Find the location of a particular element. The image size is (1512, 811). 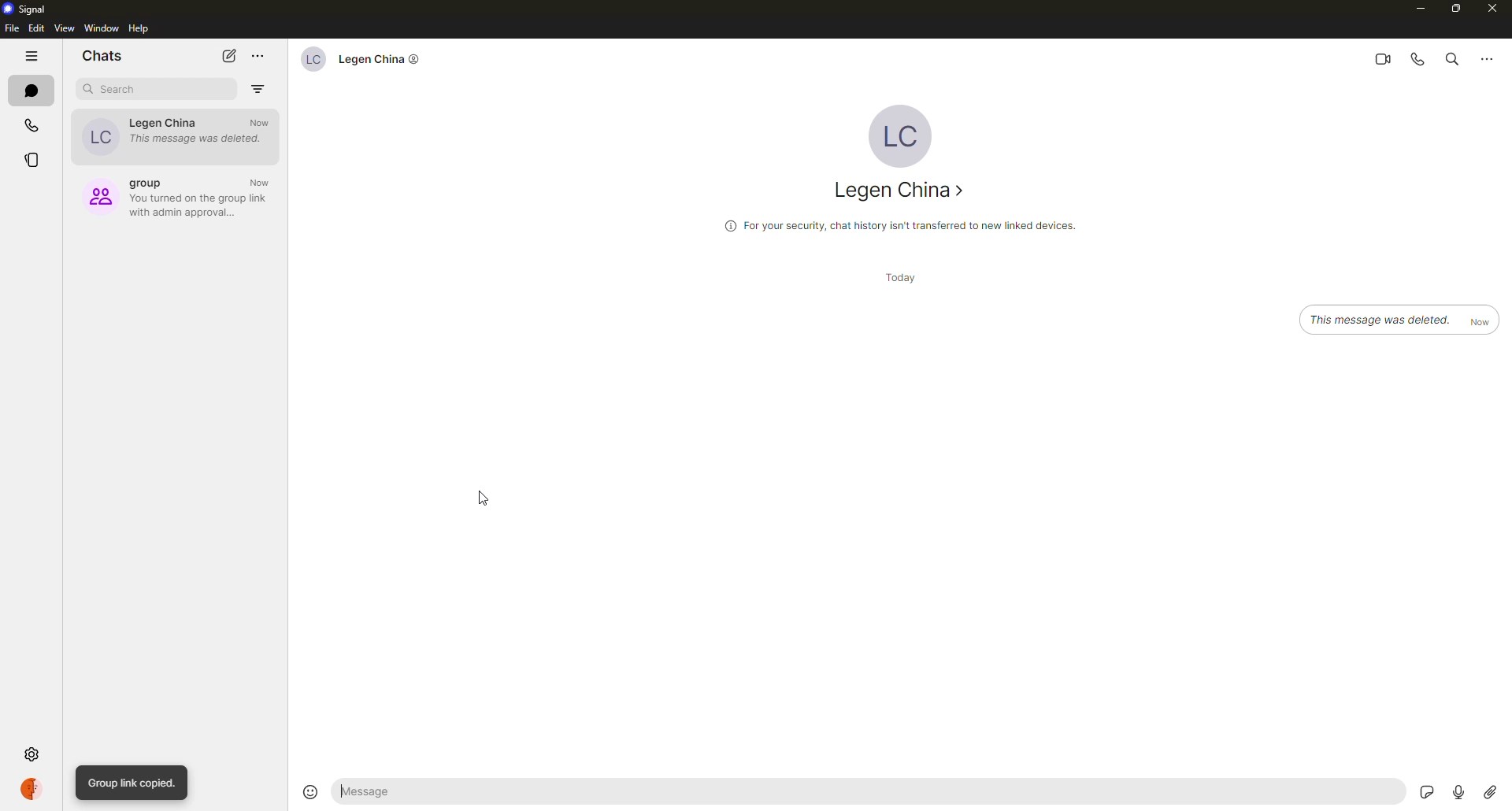

message deleted is located at coordinates (1401, 317).